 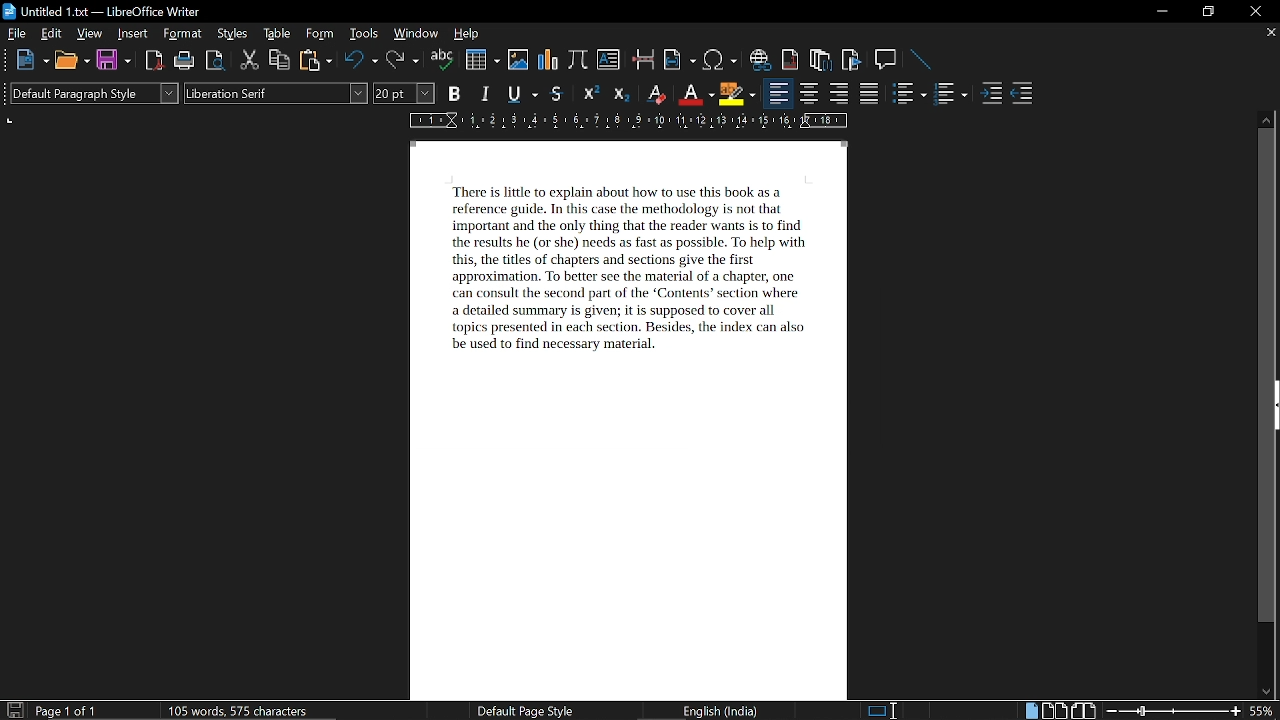 What do you see at coordinates (547, 61) in the screenshot?
I see `insert chart` at bounding box center [547, 61].